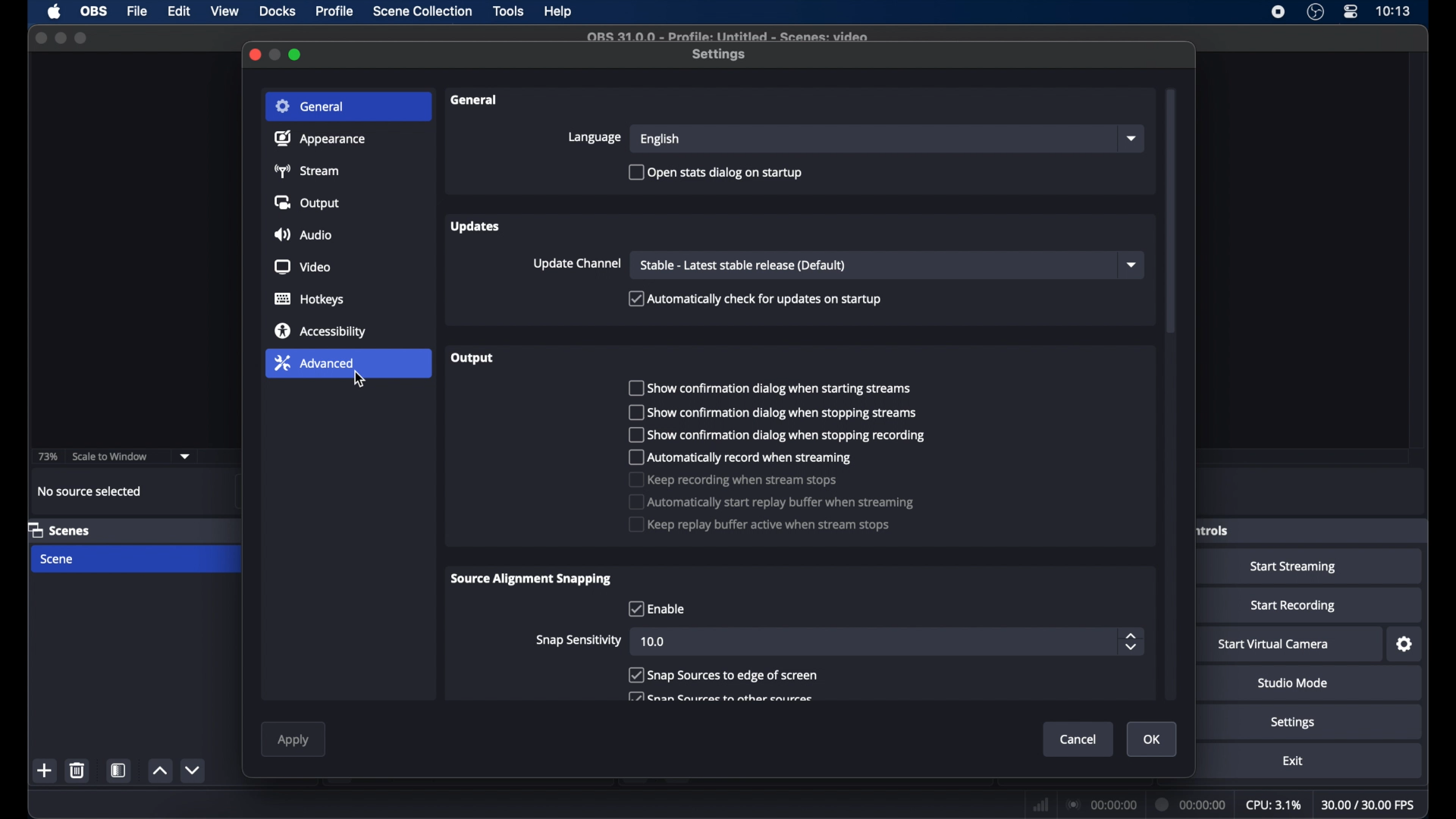 This screenshot has height=819, width=1456. What do you see at coordinates (310, 106) in the screenshot?
I see `general` at bounding box center [310, 106].